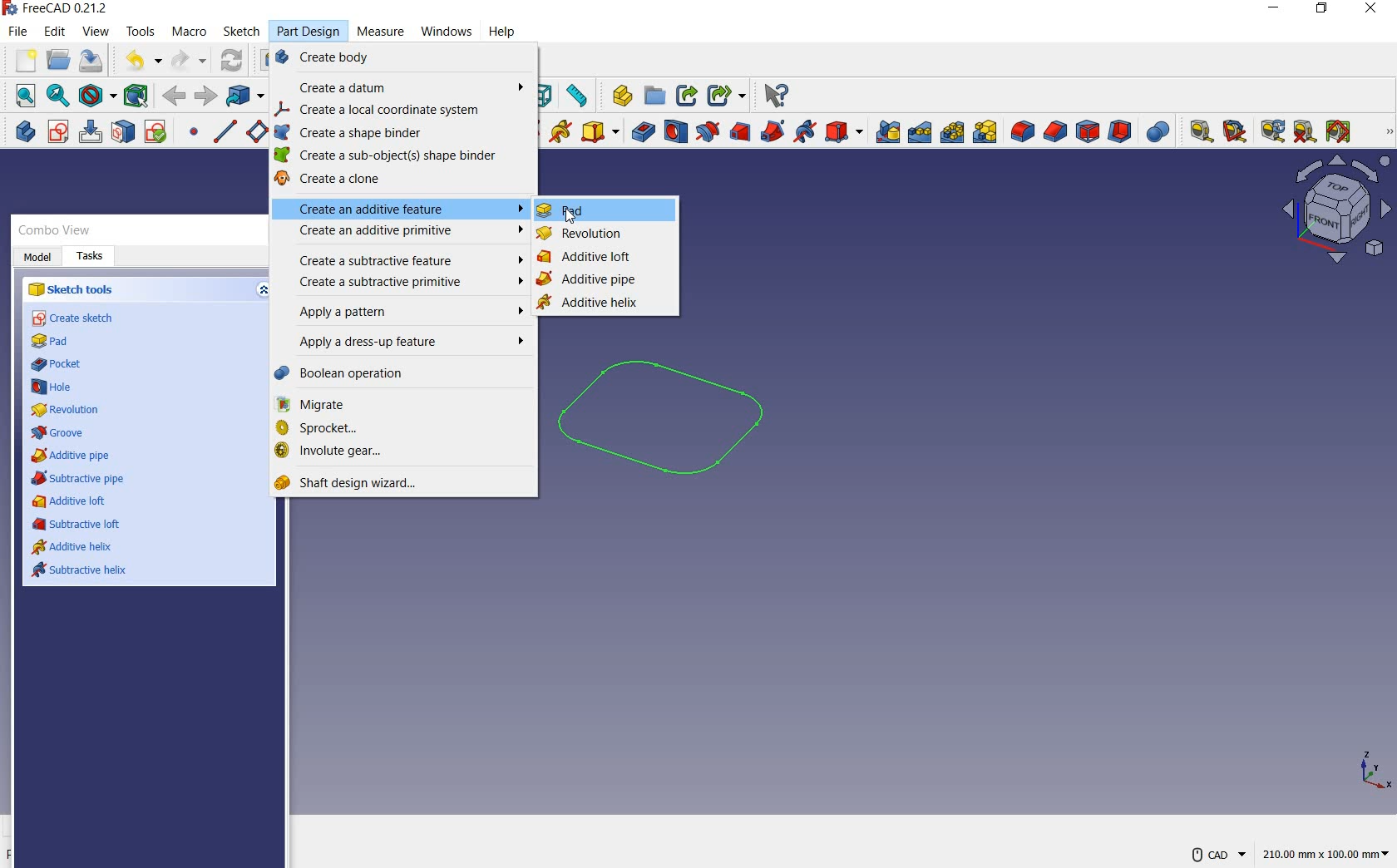 The image size is (1397, 868). I want to click on subtractive helix, so click(83, 571).